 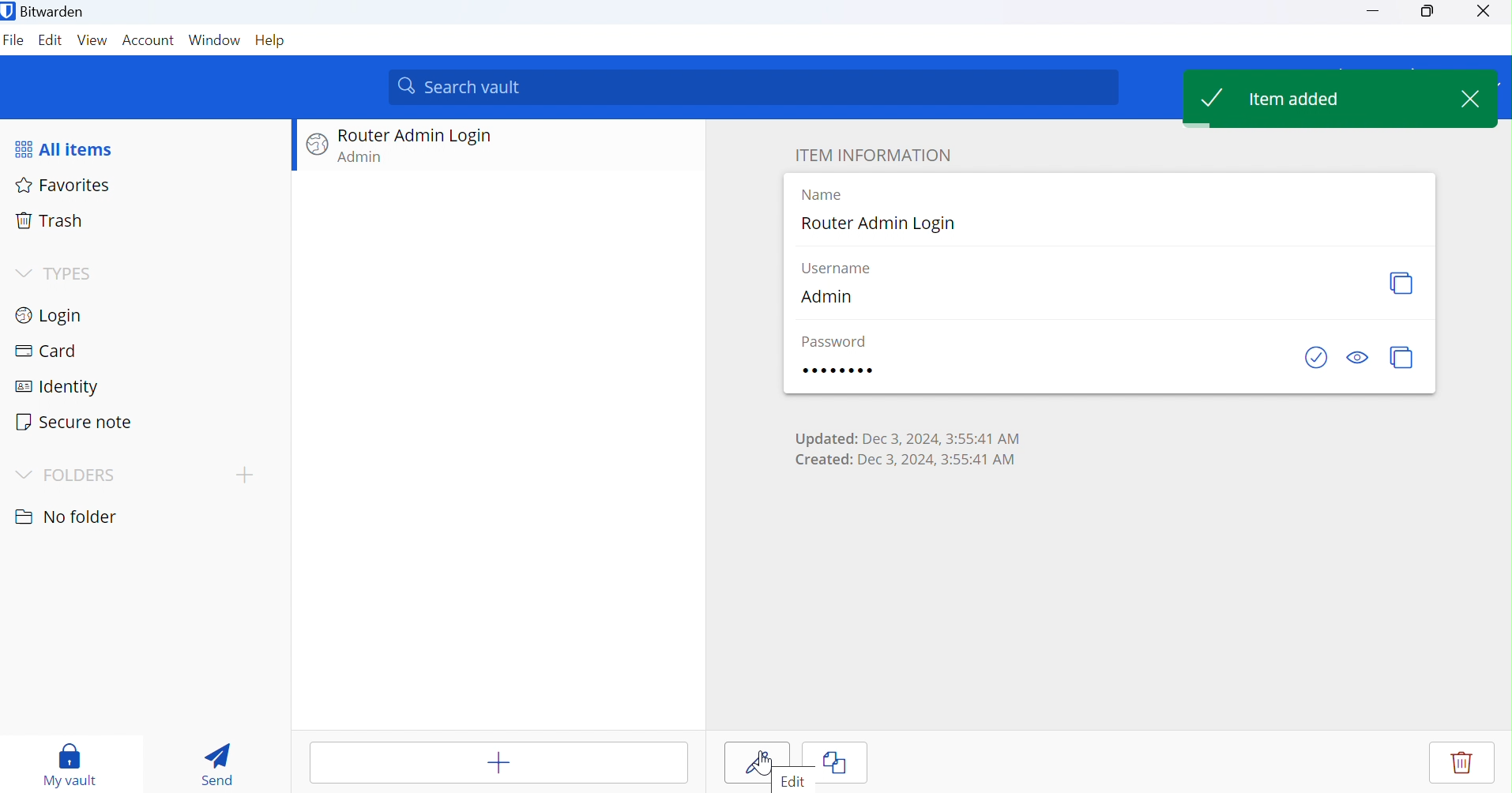 I want to click on No folder, so click(x=65, y=513).